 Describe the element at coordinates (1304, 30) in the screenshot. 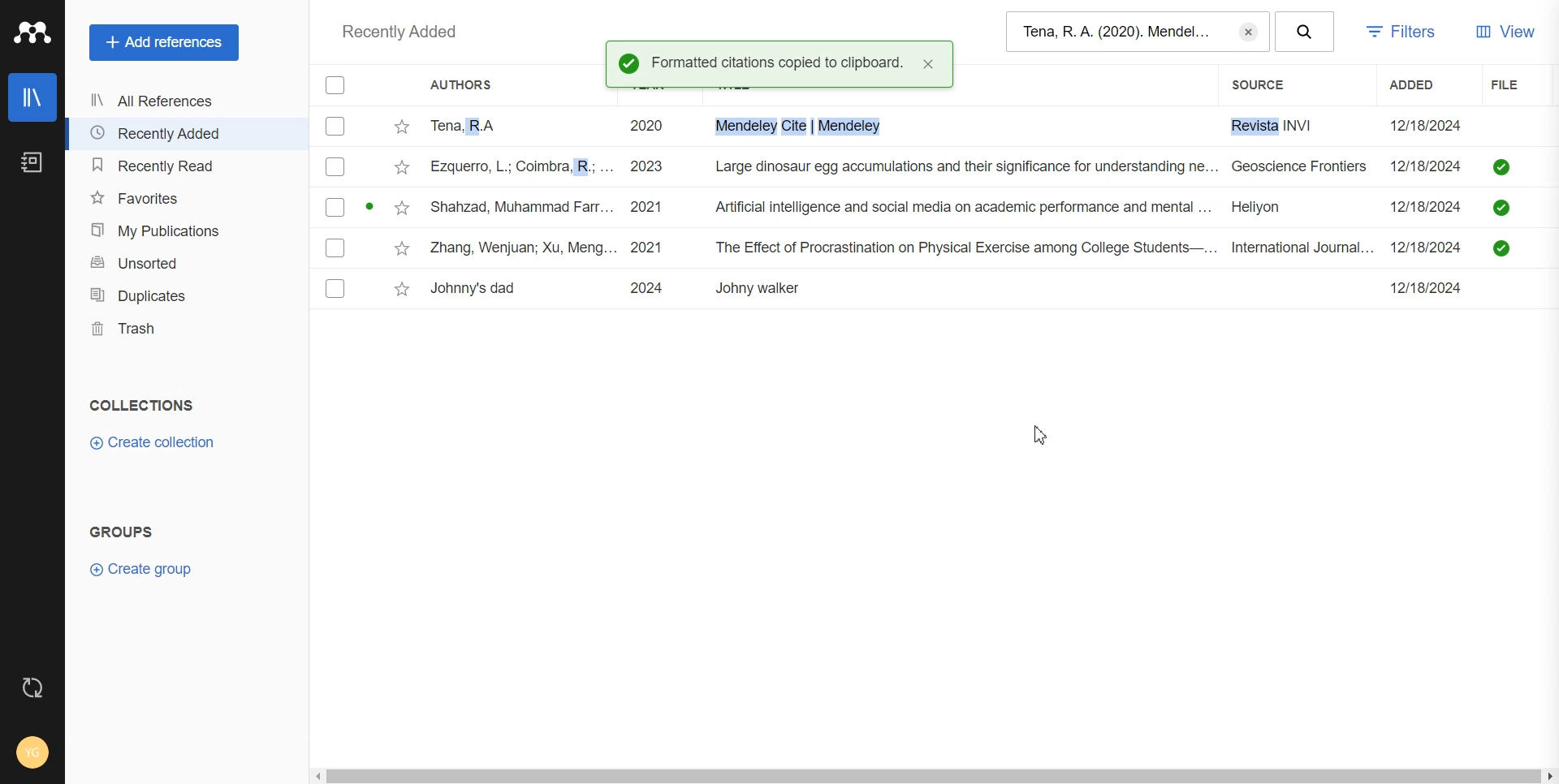

I see `Search` at that location.